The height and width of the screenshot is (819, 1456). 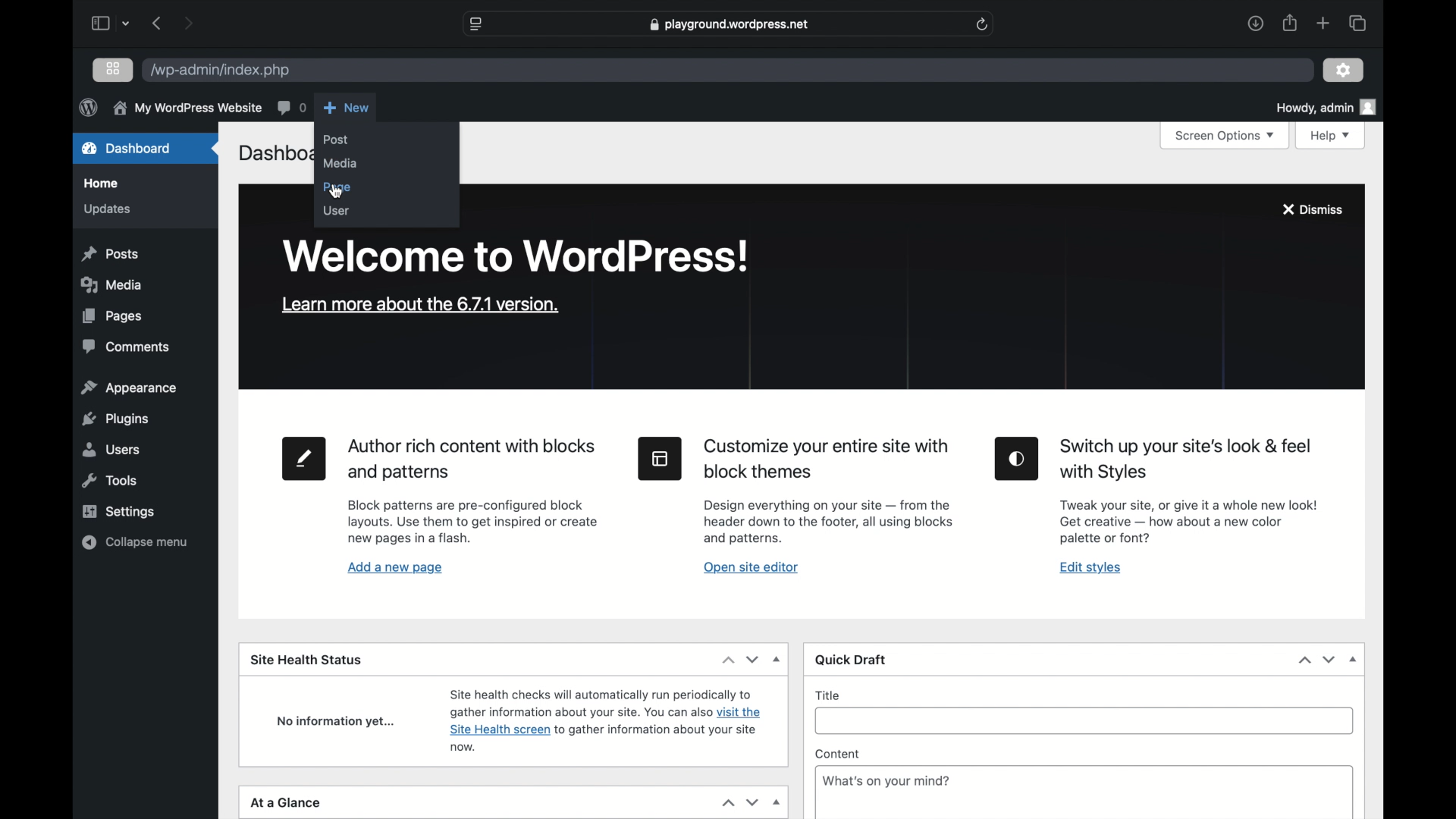 I want to click on dismiss, so click(x=1311, y=211).